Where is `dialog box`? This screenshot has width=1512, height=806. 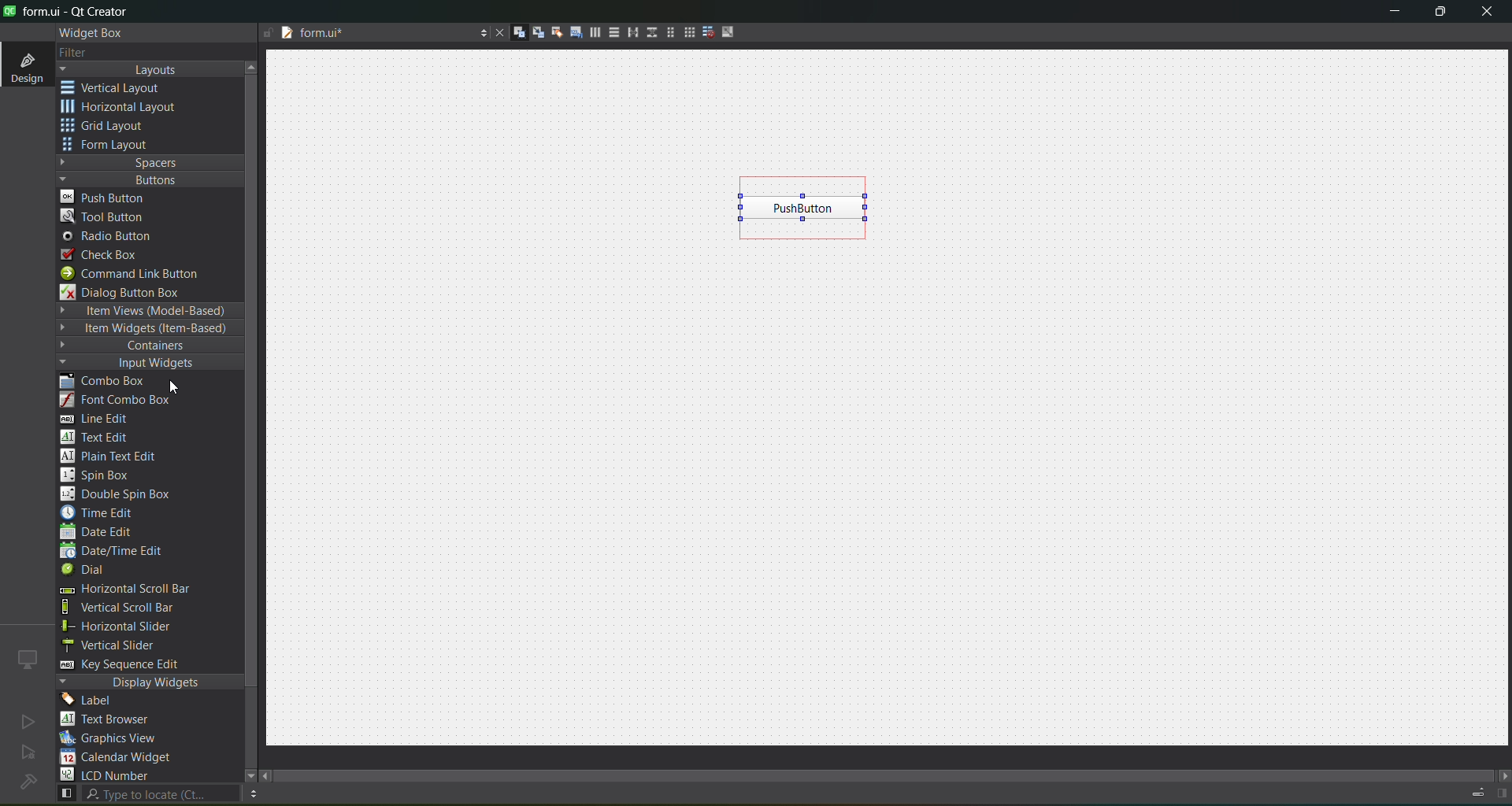 dialog box is located at coordinates (132, 292).